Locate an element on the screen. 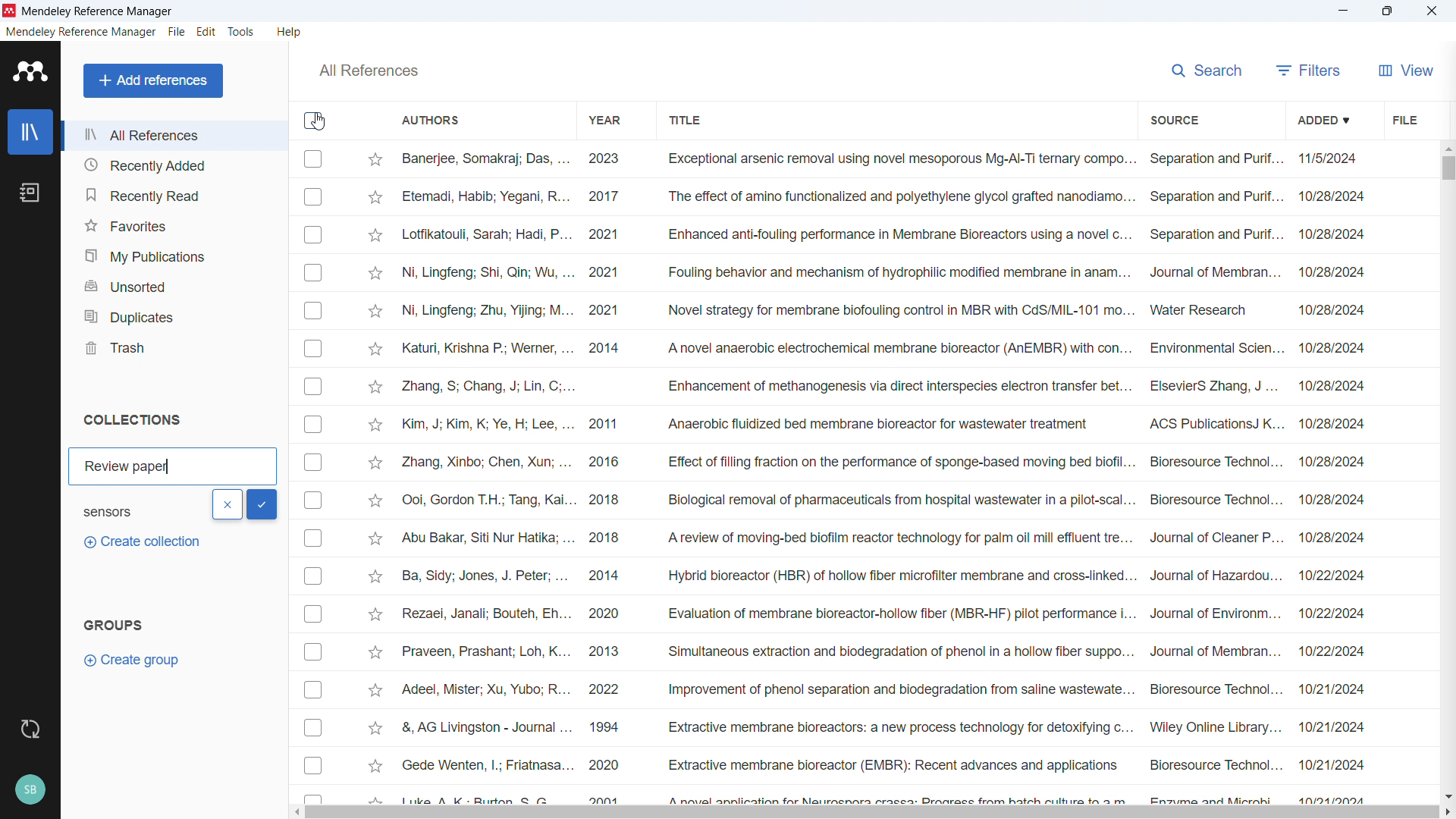  view  is located at coordinates (1404, 68).